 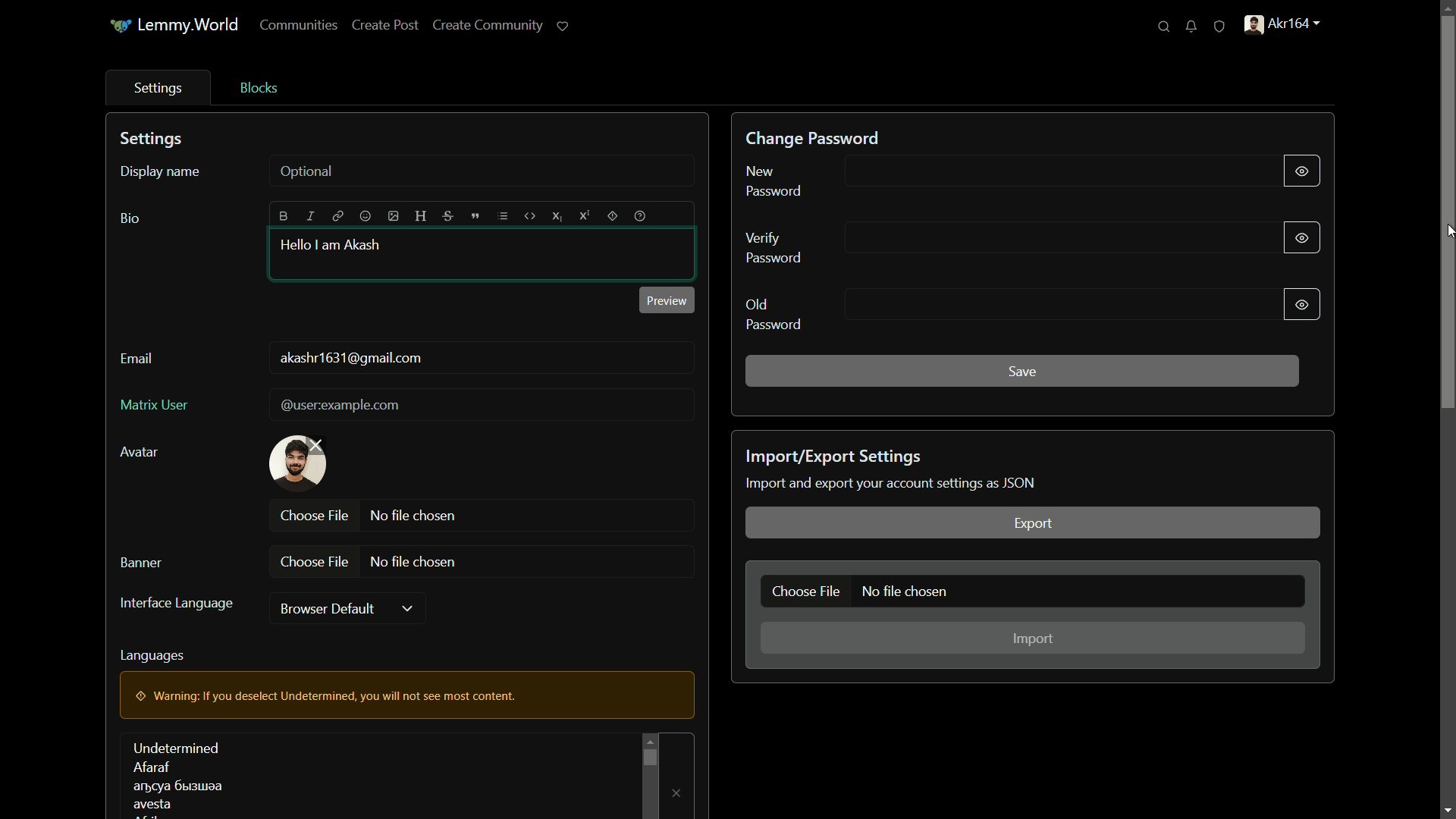 I want to click on scroll bar, so click(x=650, y=756).